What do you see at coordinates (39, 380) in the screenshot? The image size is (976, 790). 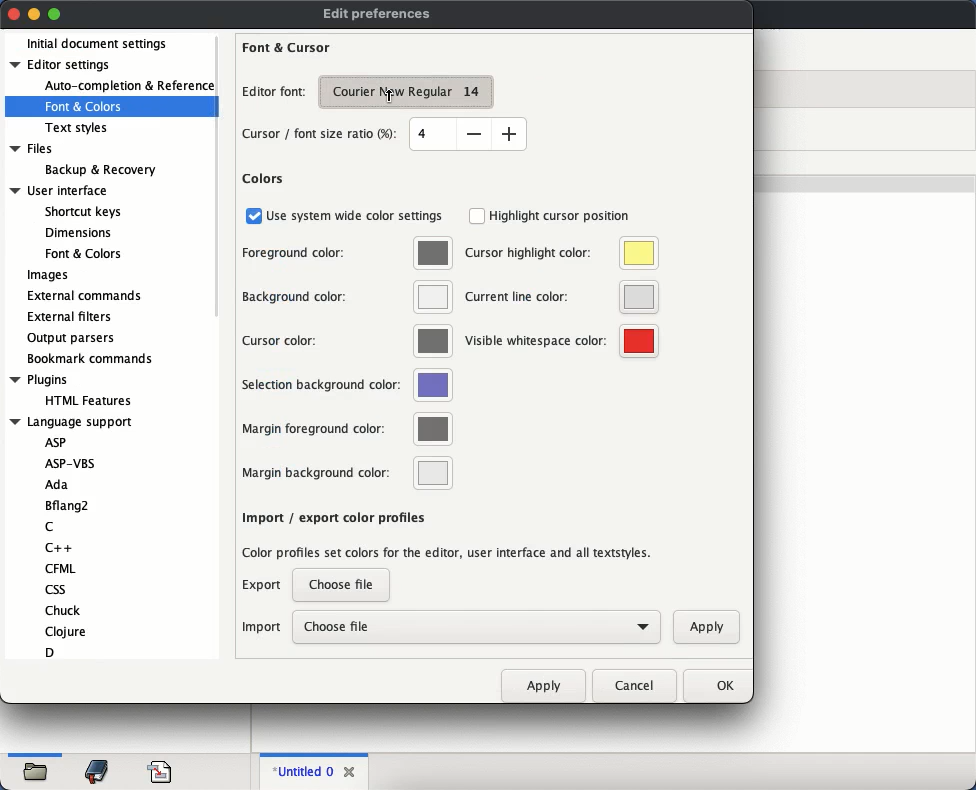 I see `plugins` at bounding box center [39, 380].